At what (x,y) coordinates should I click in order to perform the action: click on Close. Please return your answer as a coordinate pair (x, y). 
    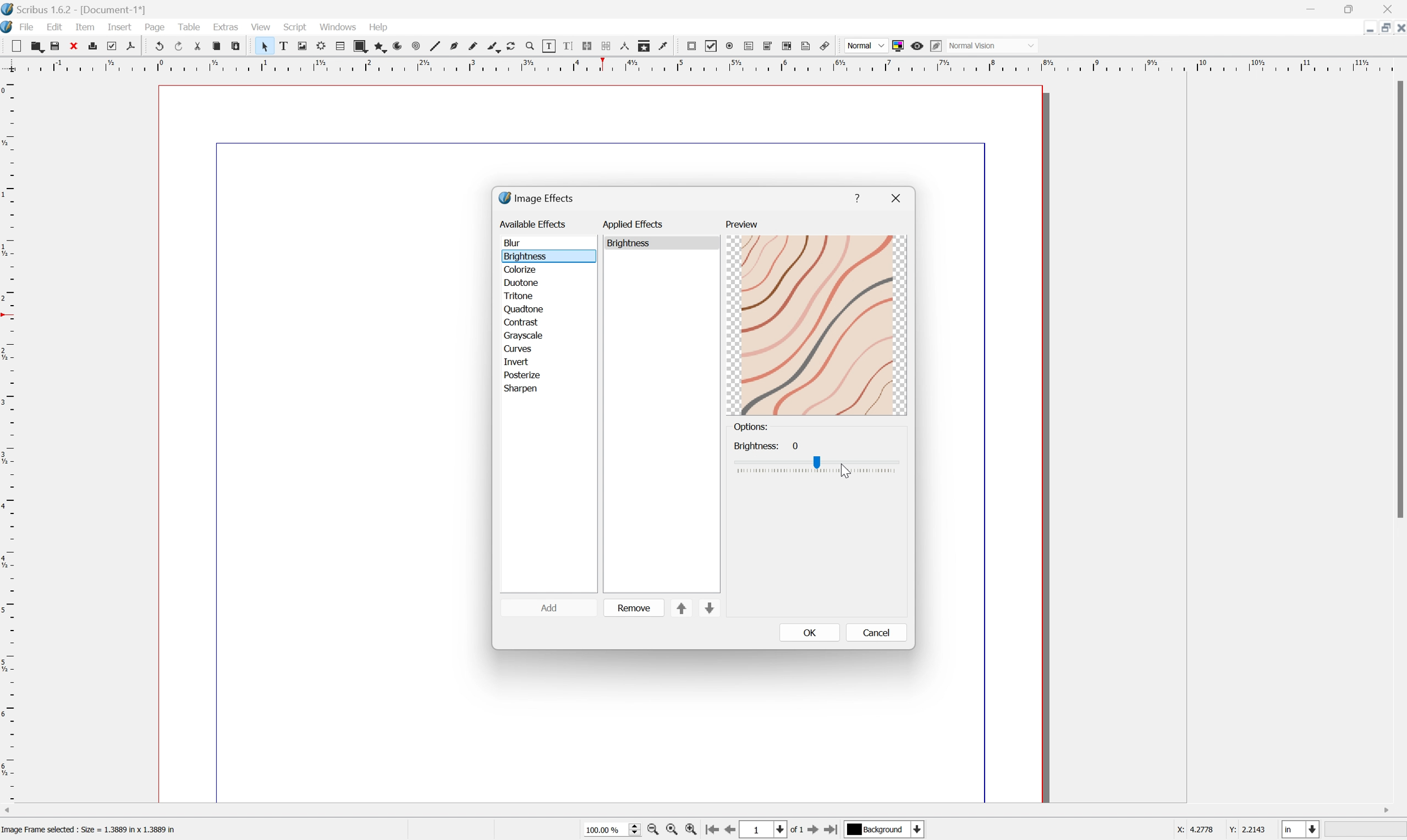
    Looking at the image, I should click on (1398, 29).